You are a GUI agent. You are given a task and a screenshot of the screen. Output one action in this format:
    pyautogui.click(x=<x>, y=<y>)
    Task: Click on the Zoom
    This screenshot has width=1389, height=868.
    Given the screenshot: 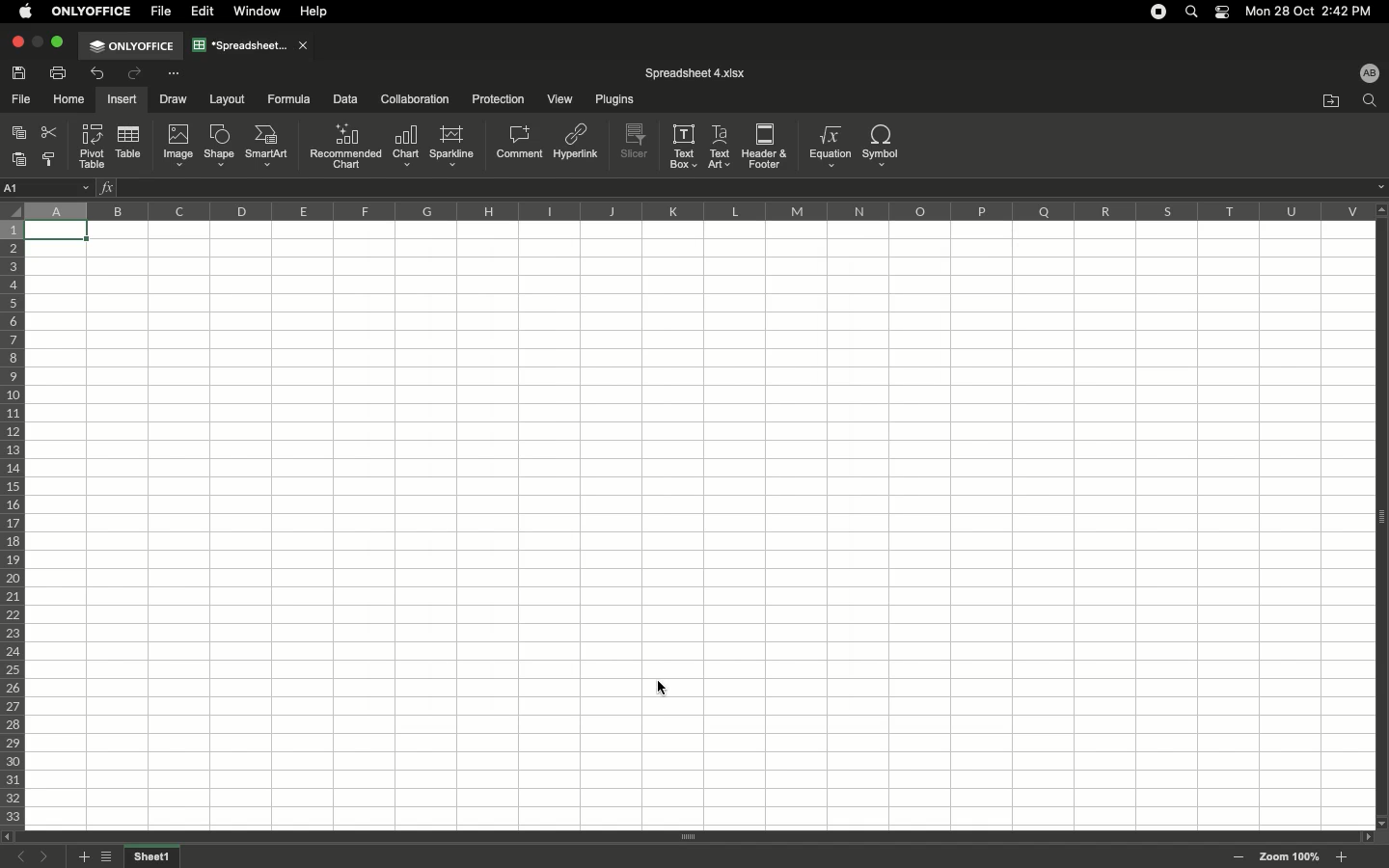 What is the action you would take?
    pyautogui.click(x=1290, y=856)
    